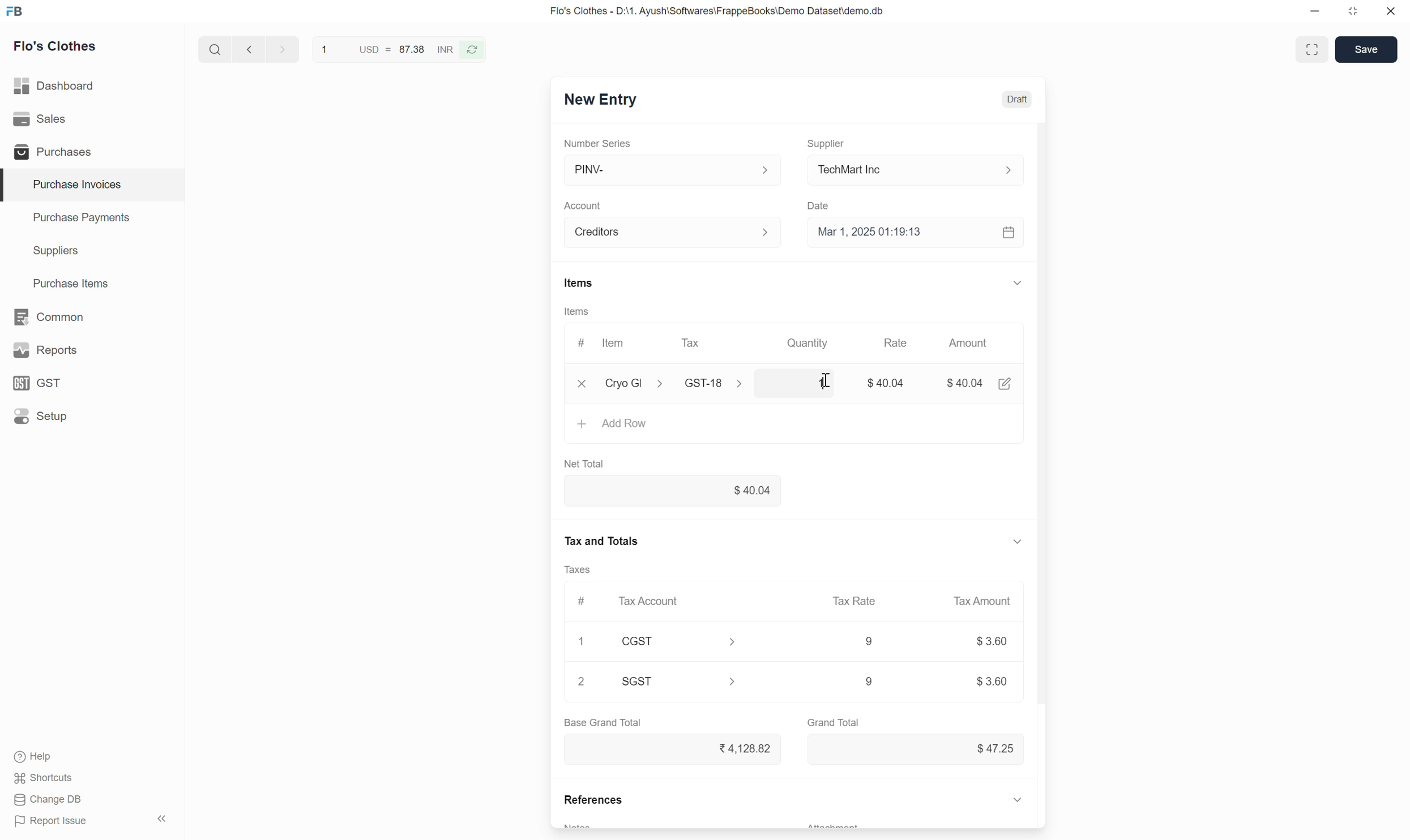 Image resolution: width=1410 pixels, height=840 pixels. Describe the element at coordinates (1006, 385) in the screenshot. I see `edit` at that location.